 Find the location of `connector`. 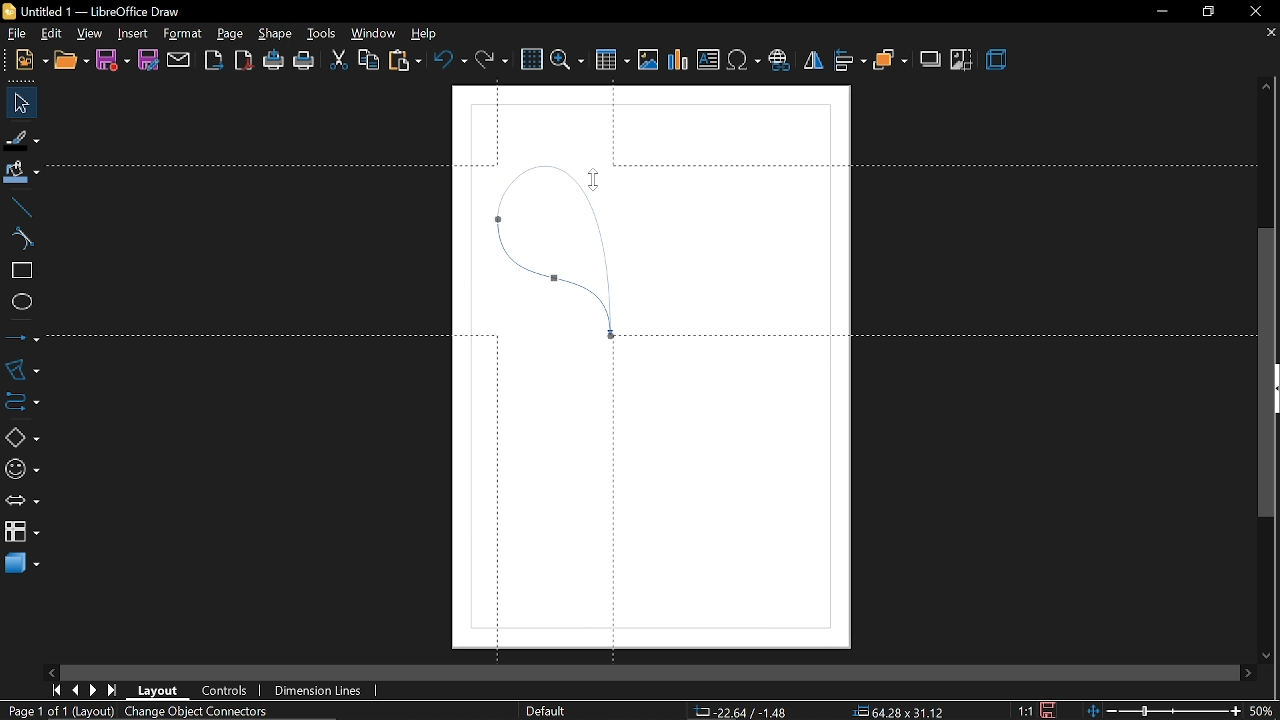

connector is located at coordinates (19, 399).